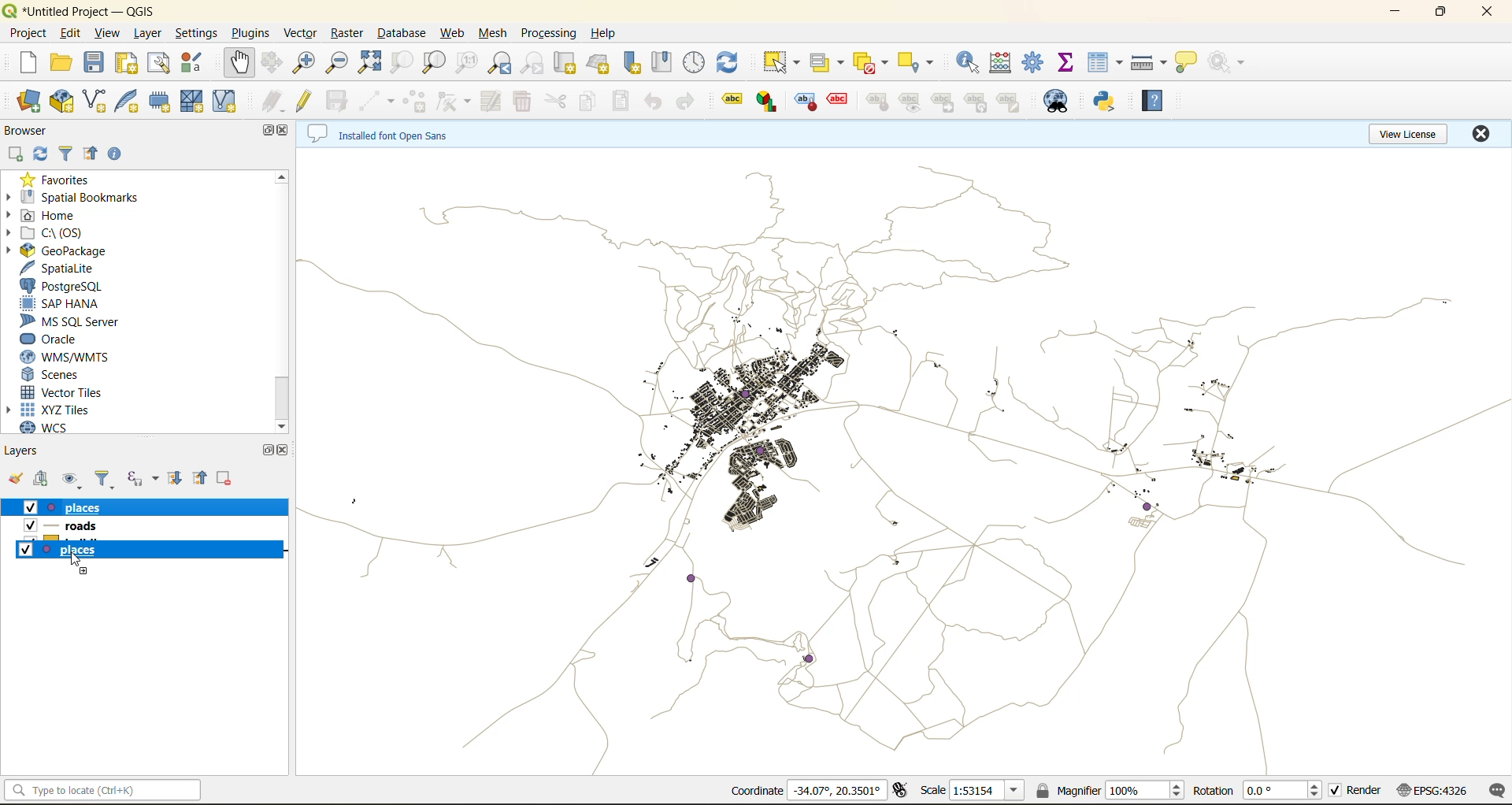 This screenshot has width=1512, height=805. Describe the element at coordinates (251, 32) in the screenshot. I see `plugins` at that location.